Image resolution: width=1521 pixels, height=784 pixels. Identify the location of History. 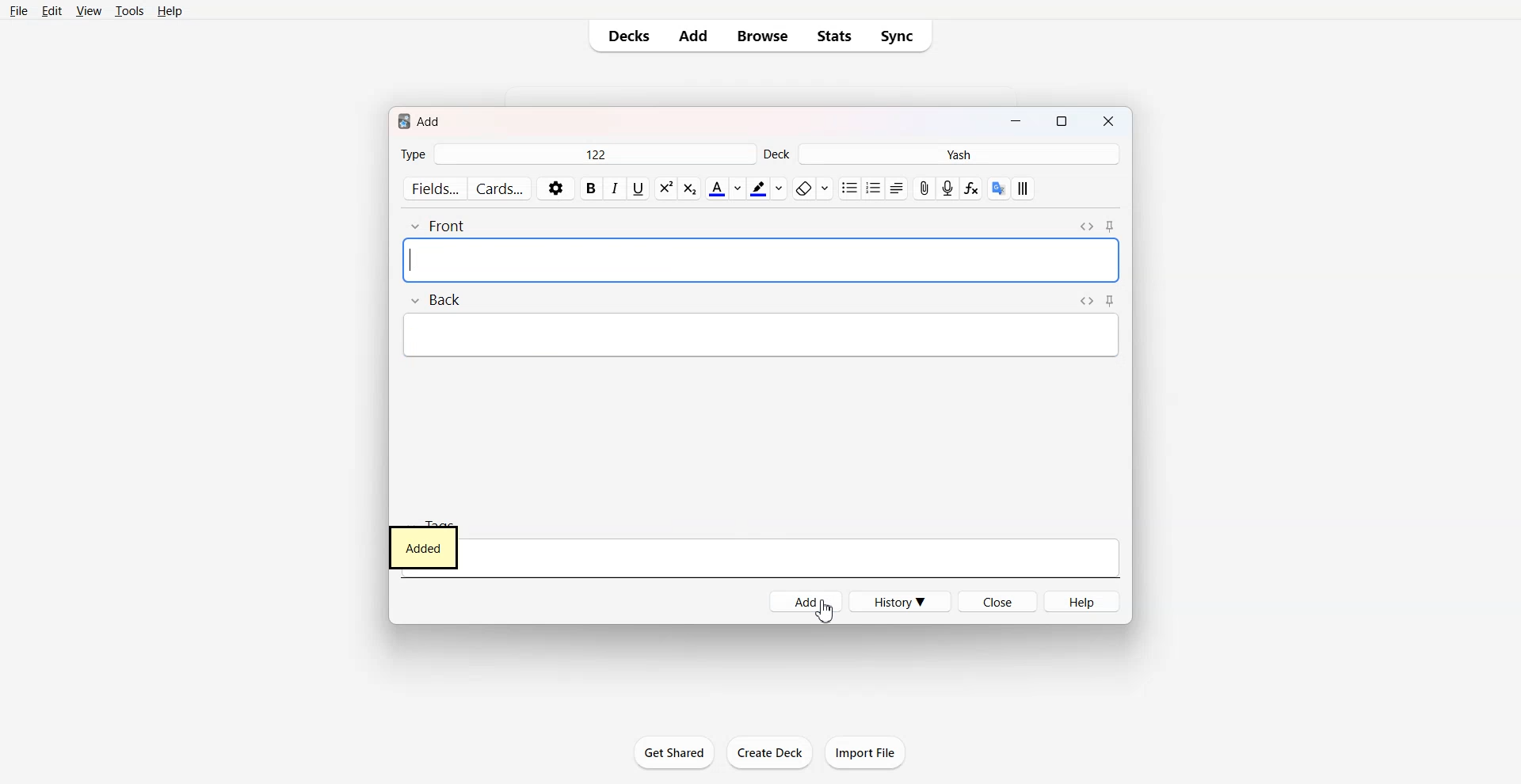
(898, 600).